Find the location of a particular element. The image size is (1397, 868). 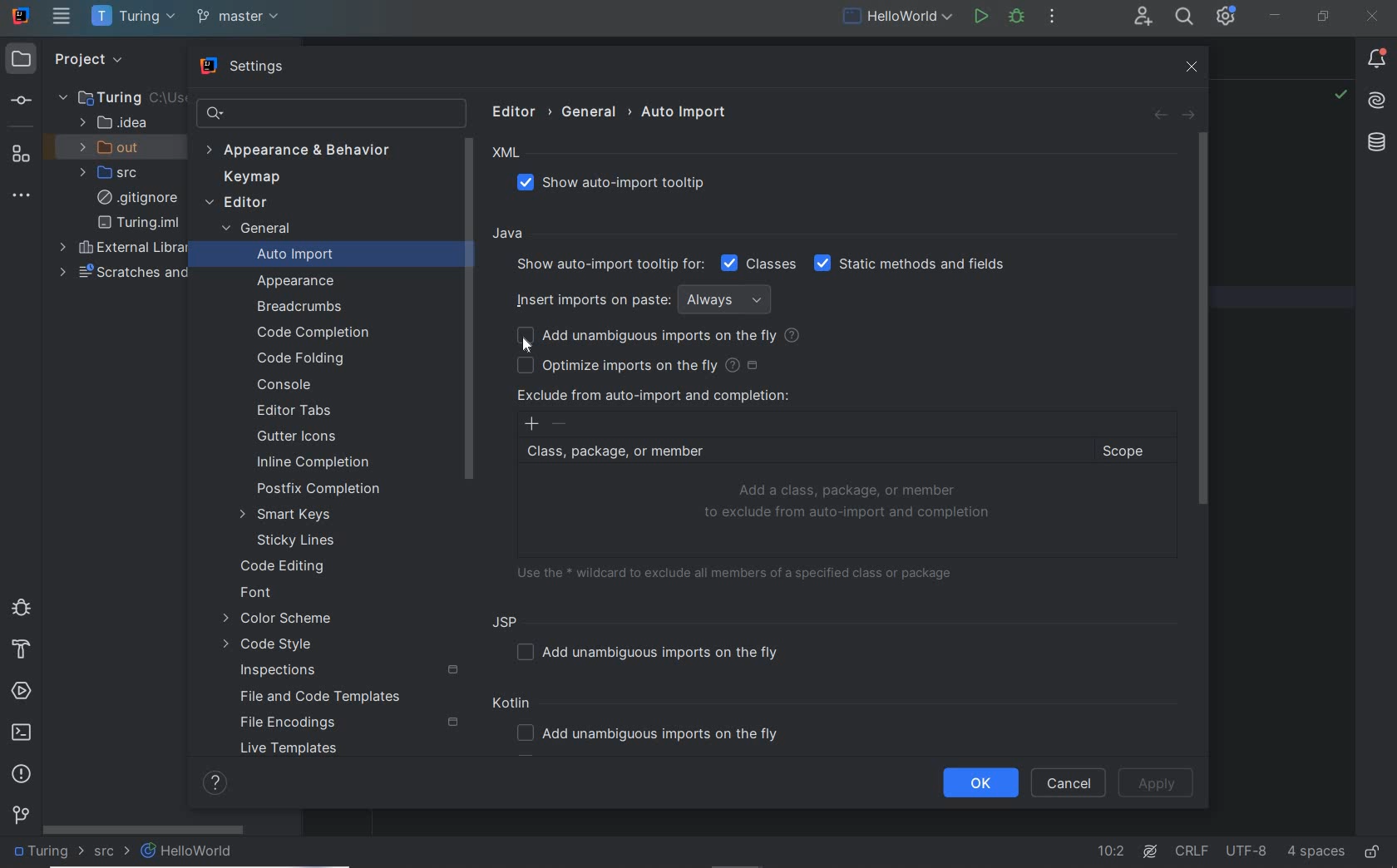

CLASS, PACKAGE, OR MEMBER is located at coordinates (801, 452).